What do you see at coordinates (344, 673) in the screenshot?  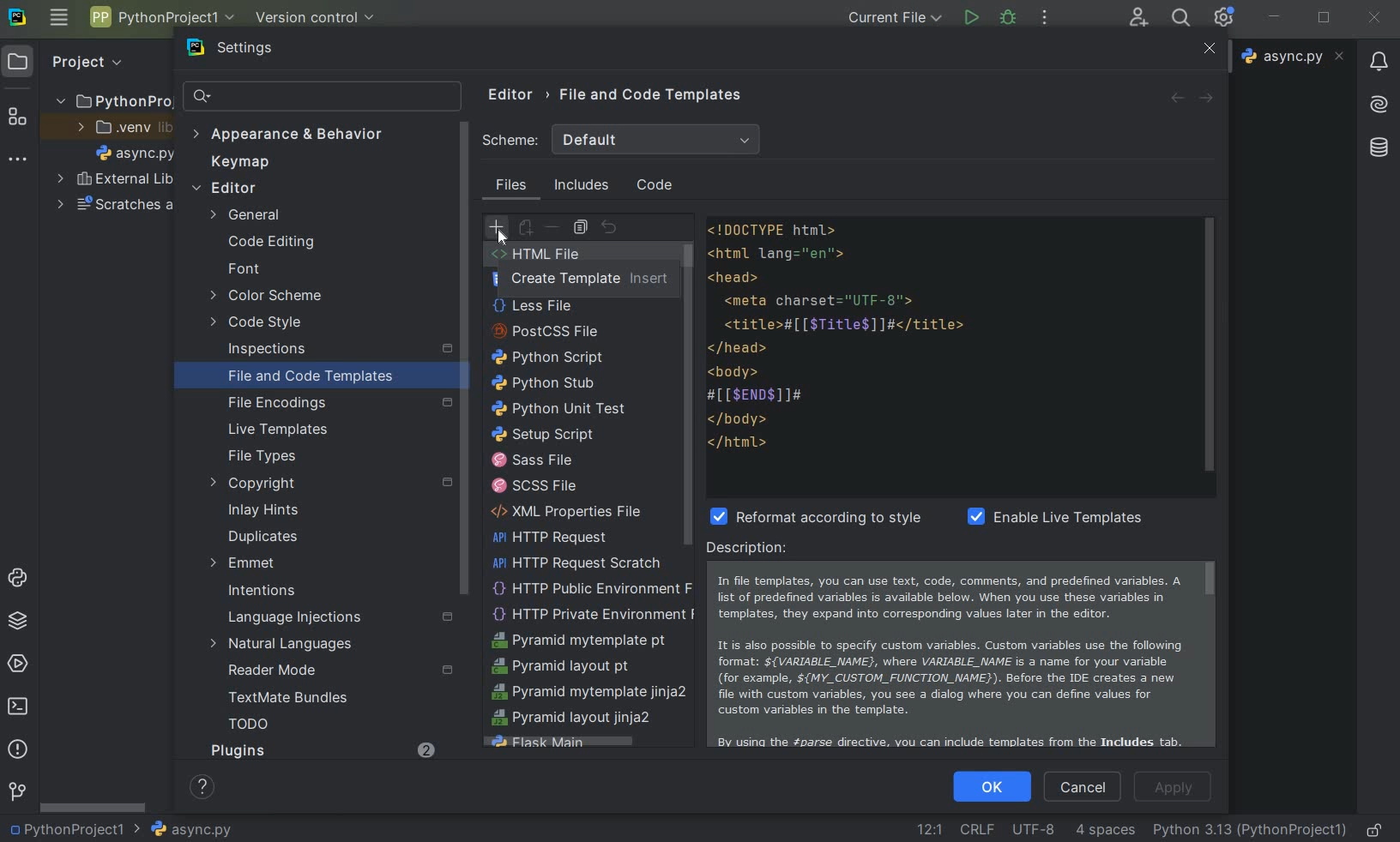 I see `reader mode` at bounding box center [344, 673].